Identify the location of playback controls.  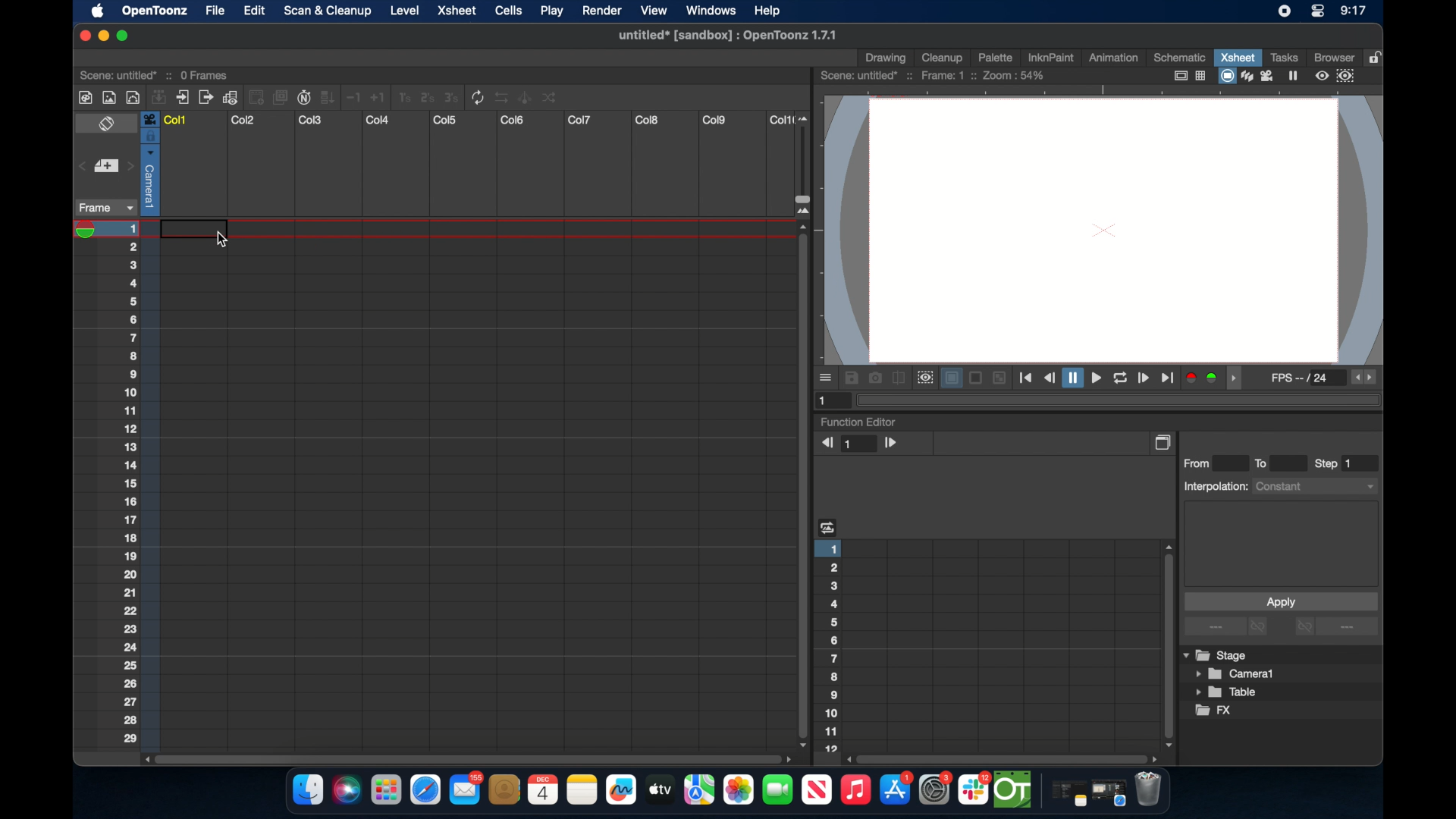
(1097, 378).